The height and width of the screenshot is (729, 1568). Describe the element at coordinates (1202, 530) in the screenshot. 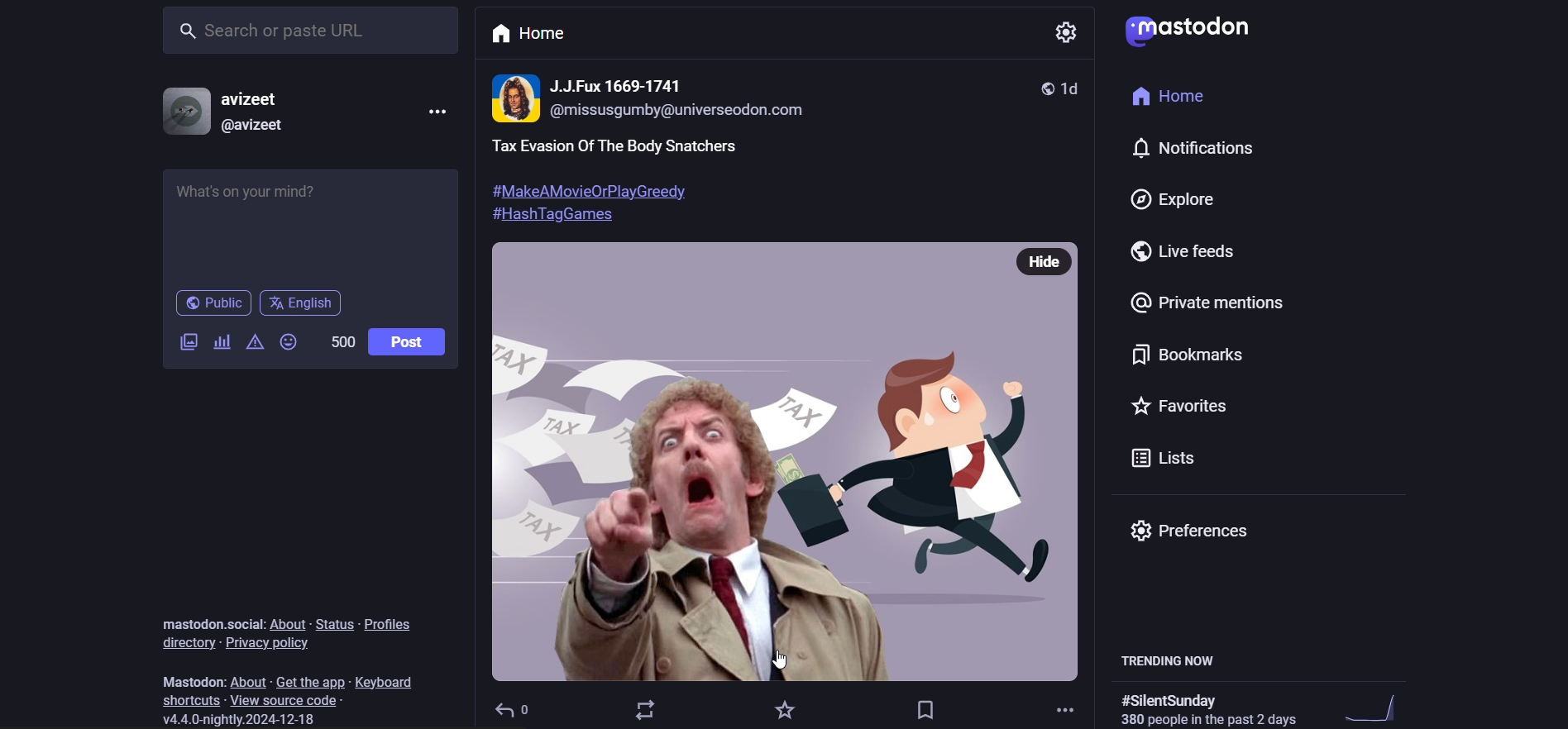

I see `preferences` at that location.